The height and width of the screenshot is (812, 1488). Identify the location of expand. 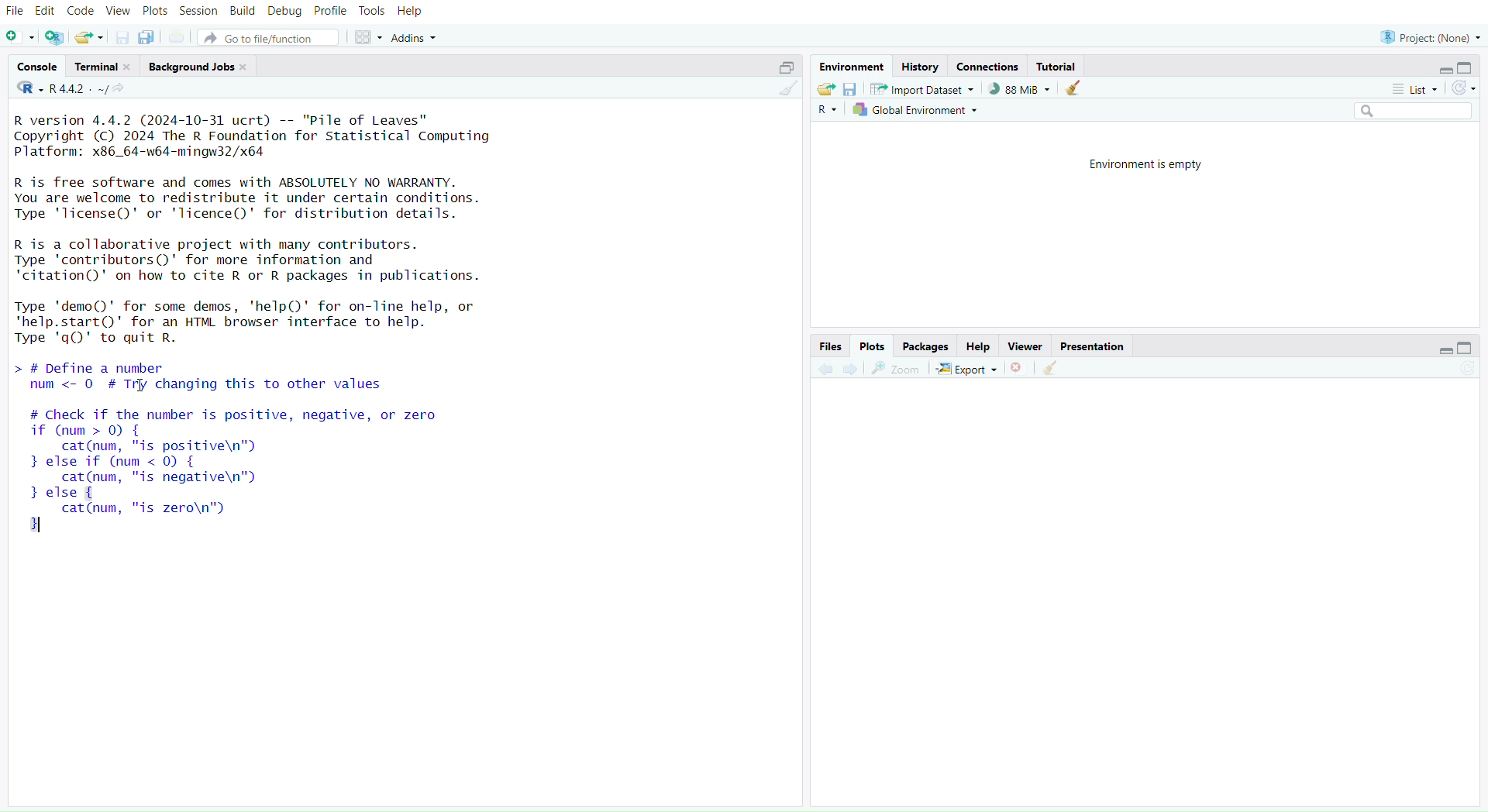
(1438, 71).